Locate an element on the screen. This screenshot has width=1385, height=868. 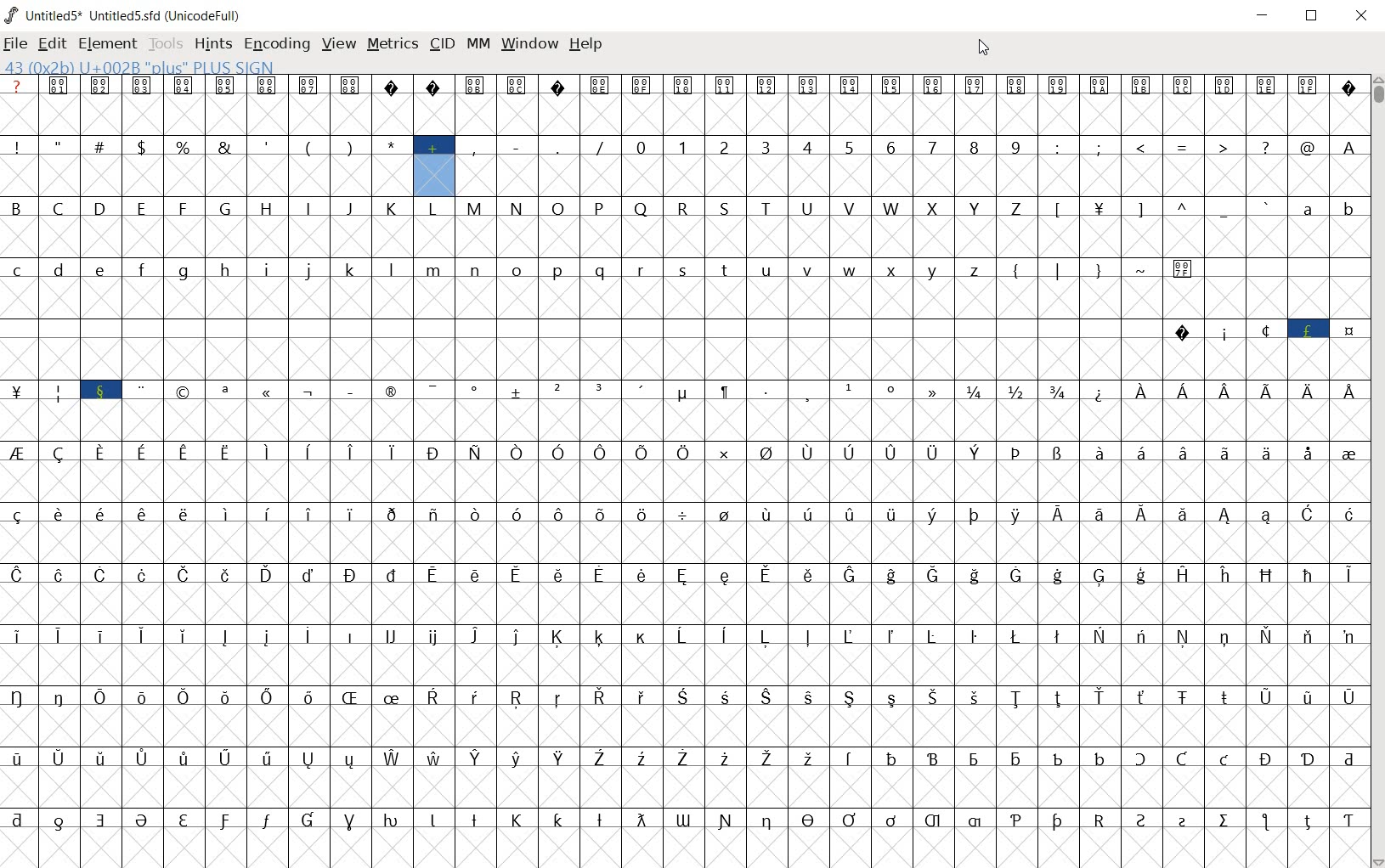
window is located at coordinates (529, 44).